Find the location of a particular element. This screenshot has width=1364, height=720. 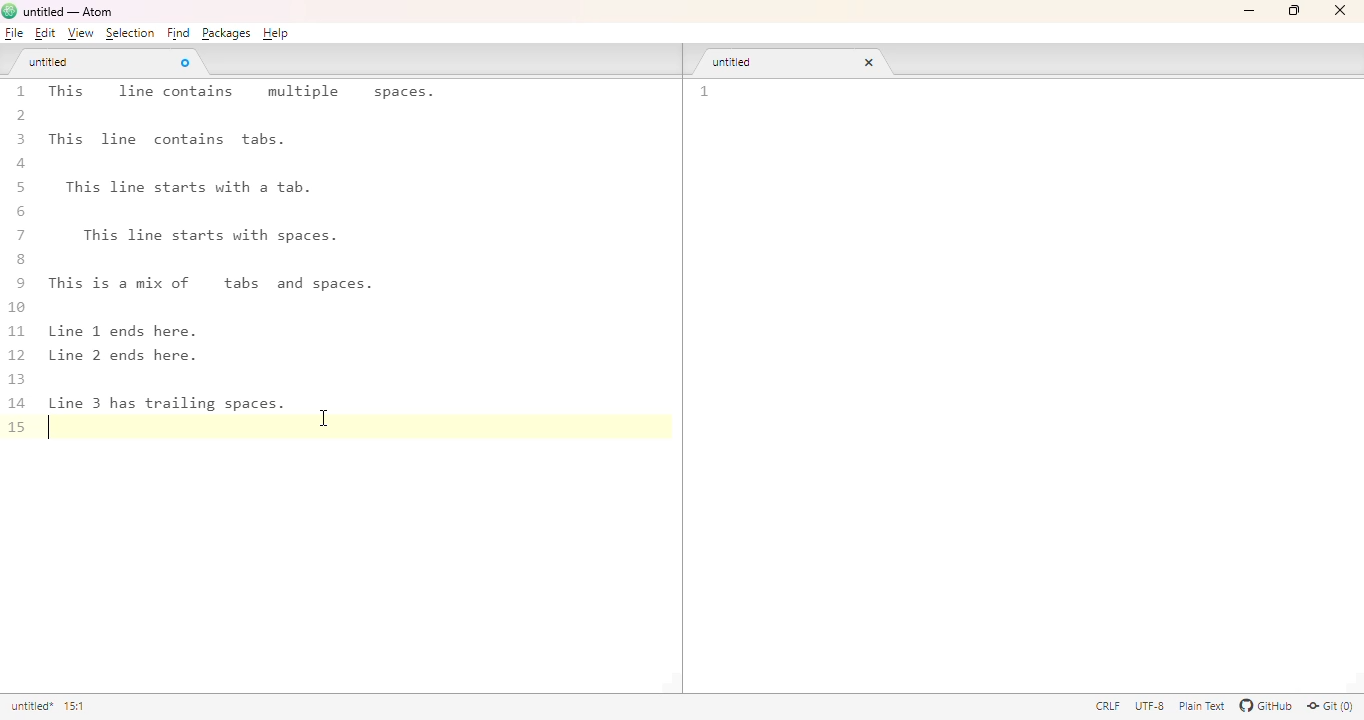

close tab is located at coordinates (869, 62).